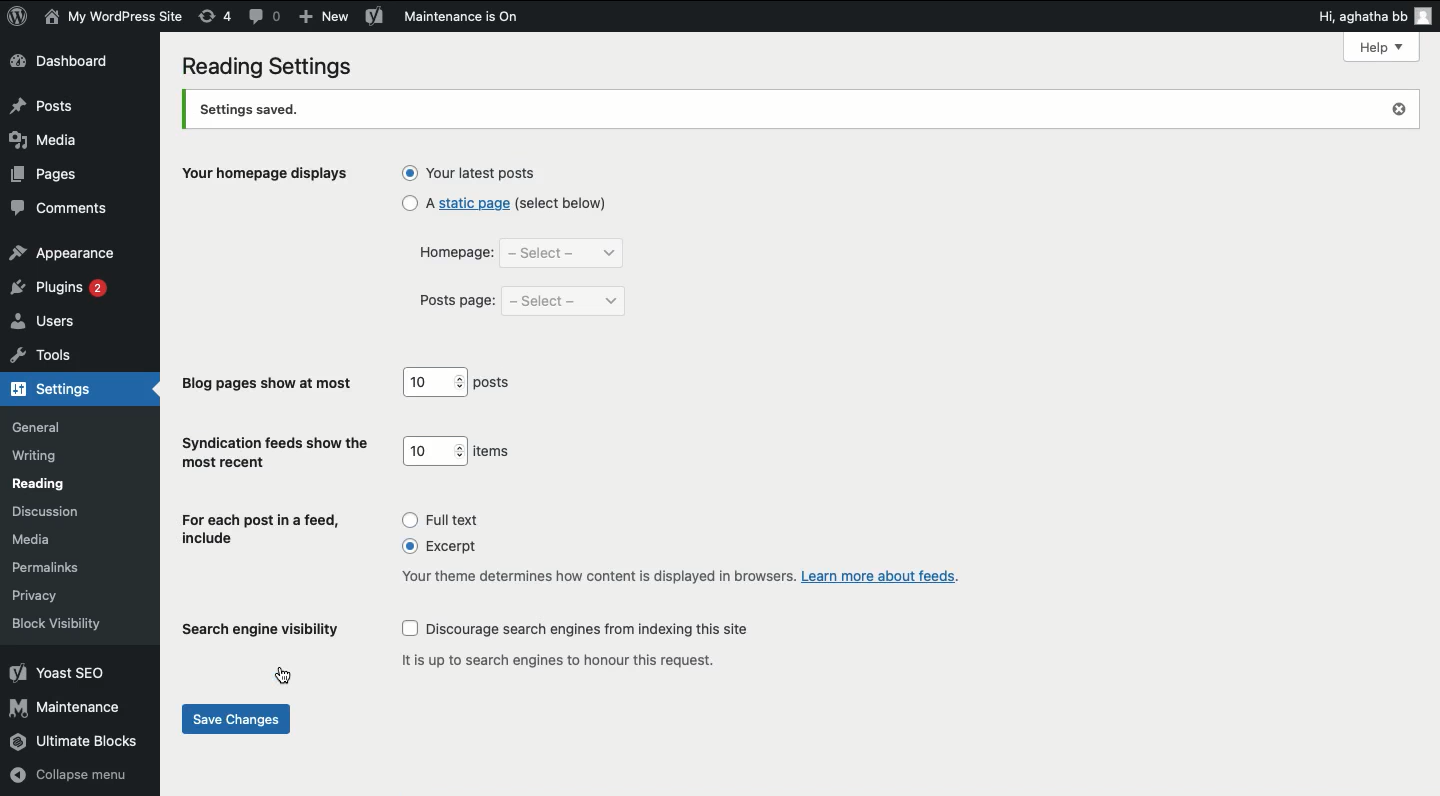 The height and width of the screenshot is (796, 1440). Describe the element at coordinates (458, 301) in the screenshot. I see `posts page` at that location.